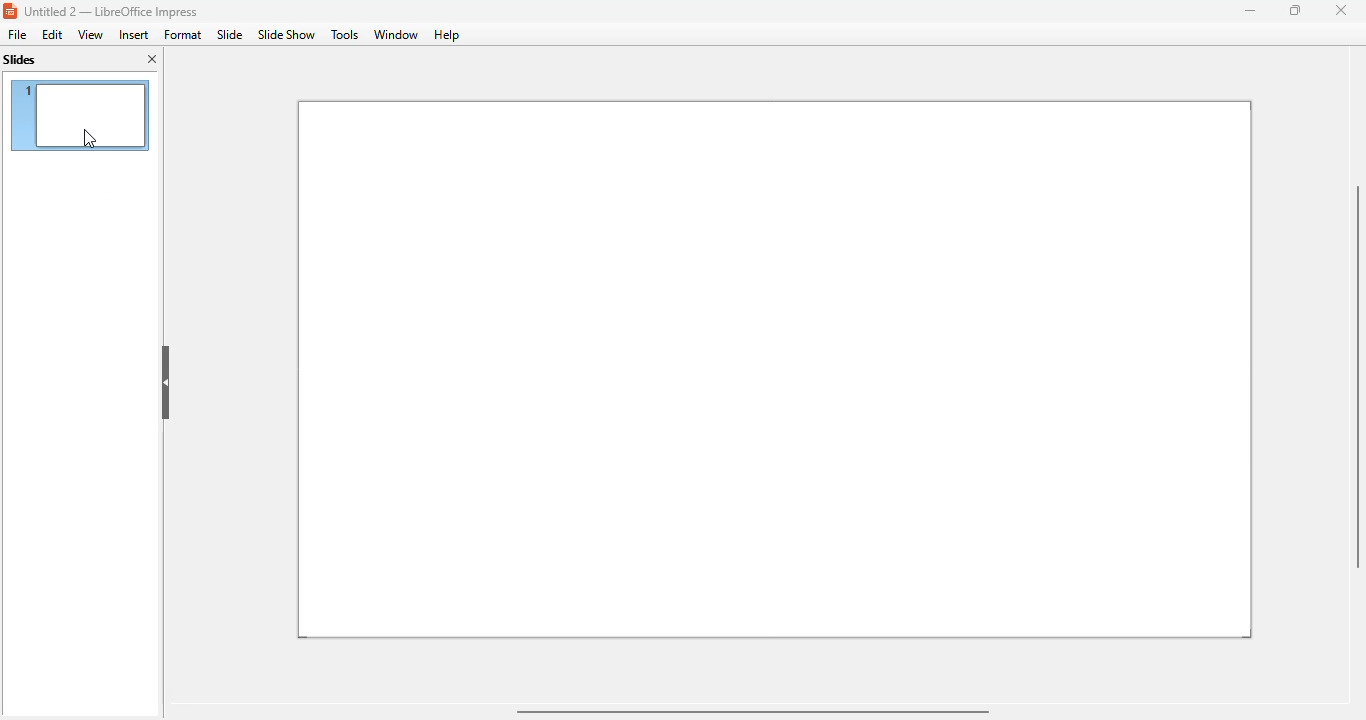  I want to click on edit, so click(53, 35).